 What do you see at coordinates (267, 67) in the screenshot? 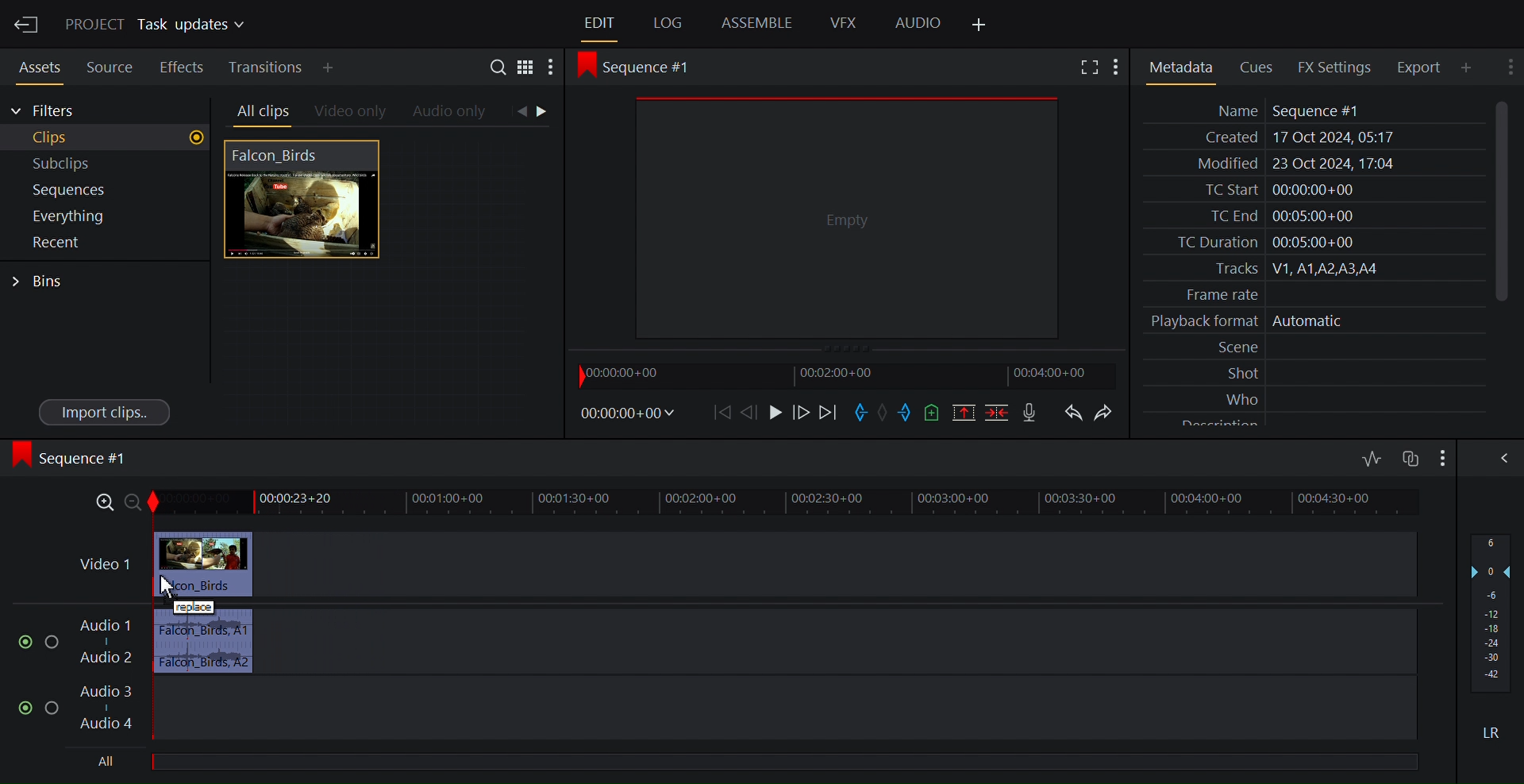
I see `Transitition` at bounding box center [267, 67].